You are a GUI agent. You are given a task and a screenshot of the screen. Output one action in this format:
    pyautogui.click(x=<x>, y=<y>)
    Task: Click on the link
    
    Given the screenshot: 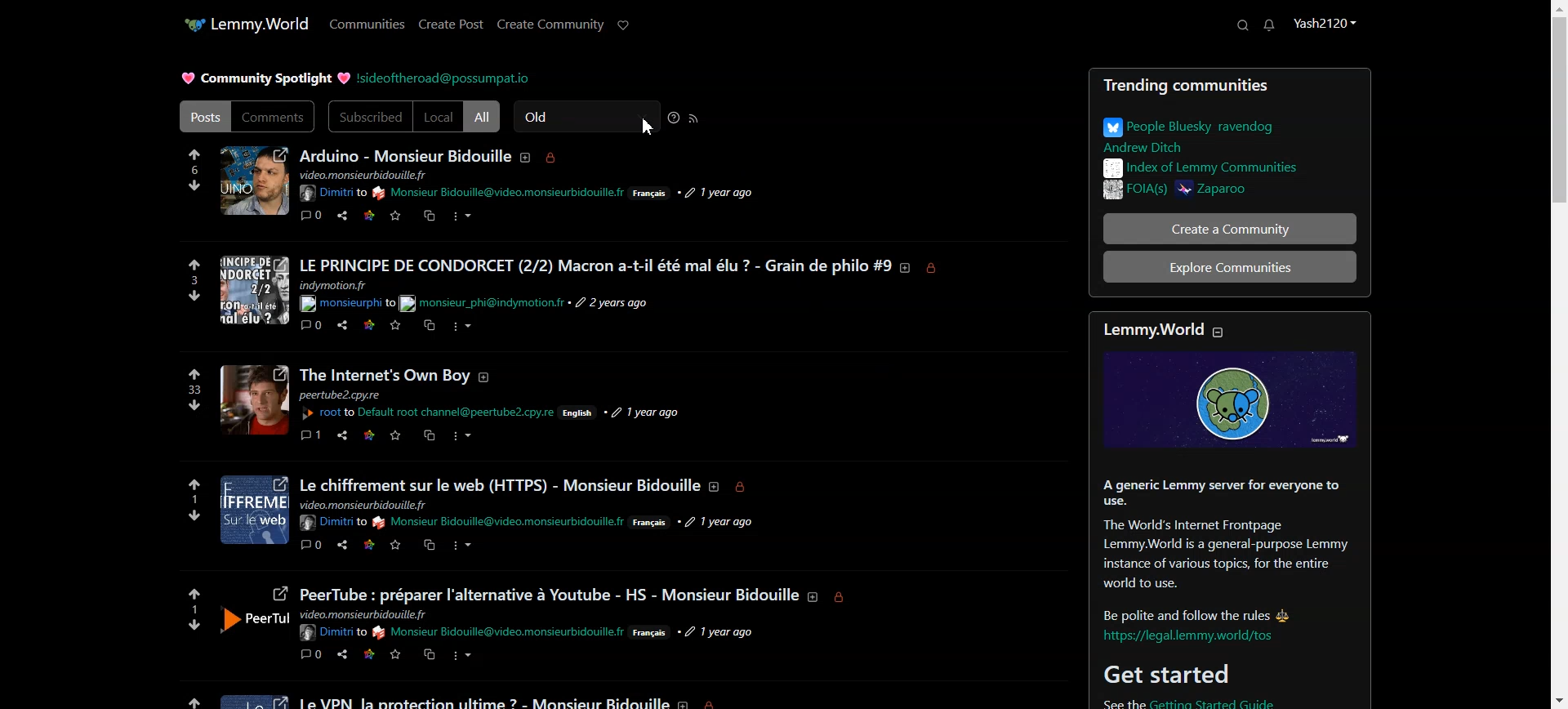 What is the action you would take?
    pyautogui.click(x=369, y=325)
    